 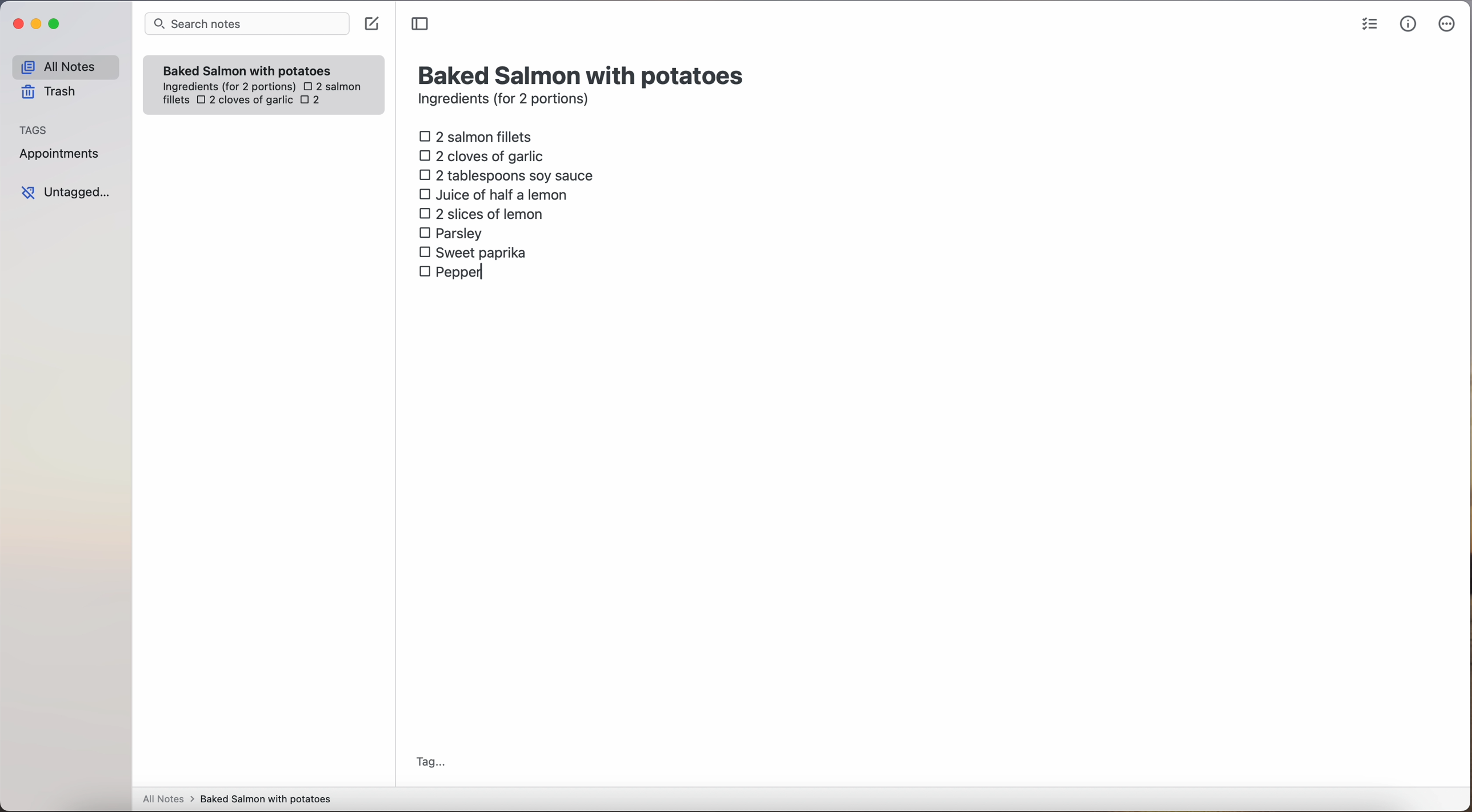 What do you see at coordinates (36, 25) in the screenshot?
I see `minimize Simplenote` at bounding box center [36, 25].